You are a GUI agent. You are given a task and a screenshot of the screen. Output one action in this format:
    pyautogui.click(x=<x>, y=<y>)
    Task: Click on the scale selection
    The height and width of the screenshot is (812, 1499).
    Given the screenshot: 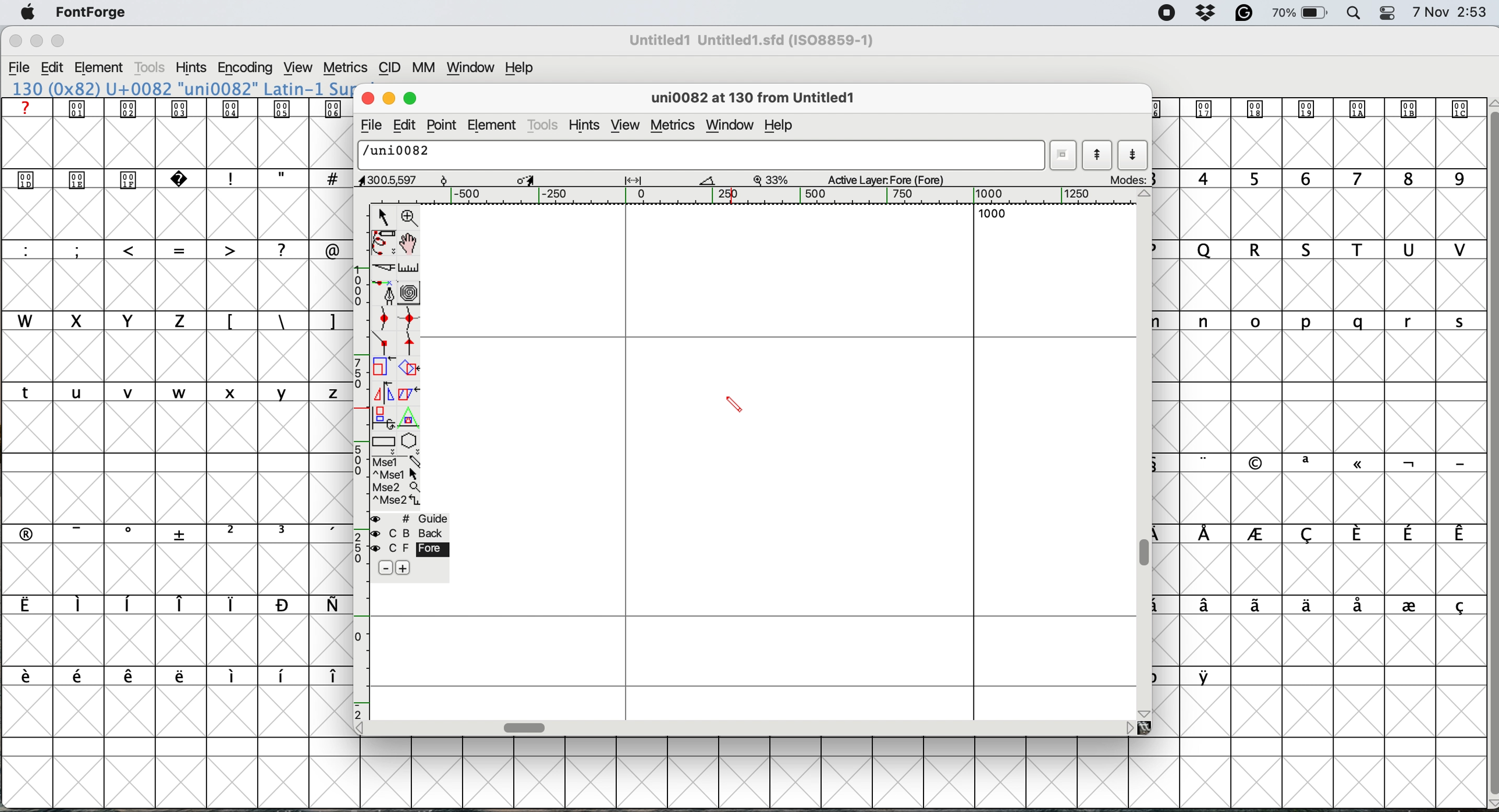 What is the action you would take?
    pyautogui.click(x=383, y=369)
    